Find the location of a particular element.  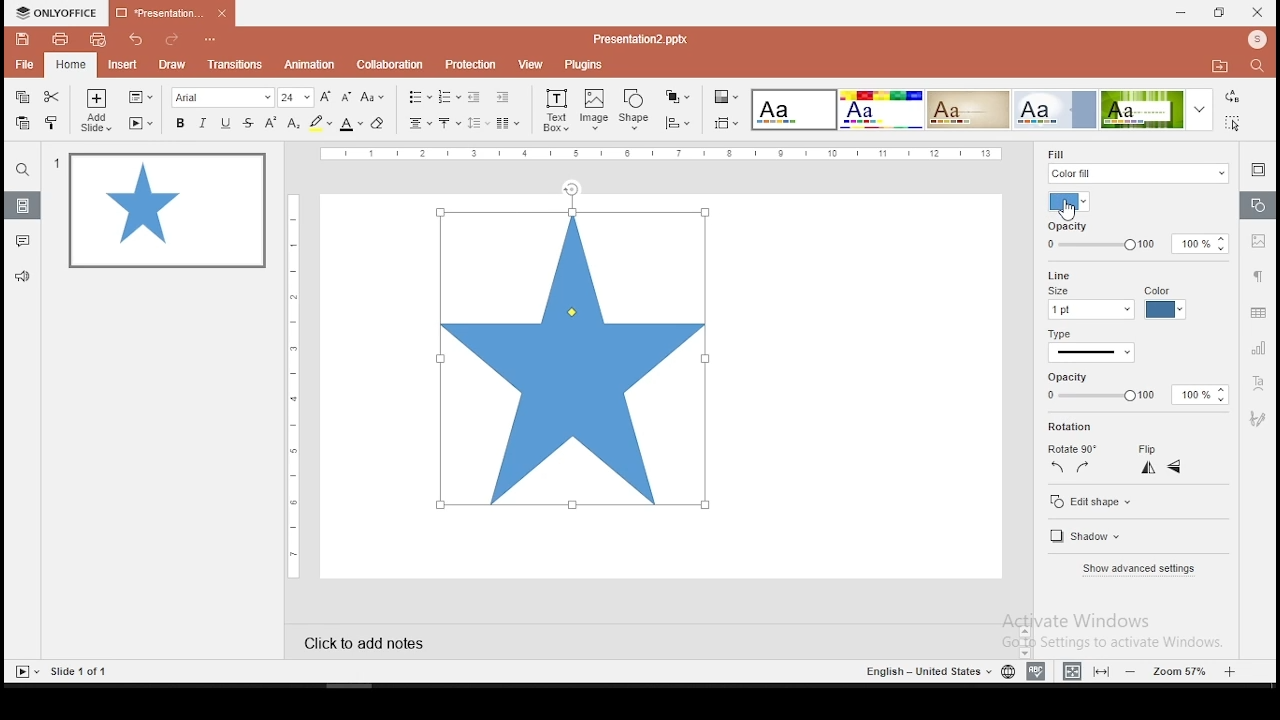

fit to slide is located at coordinates (1101, 671).